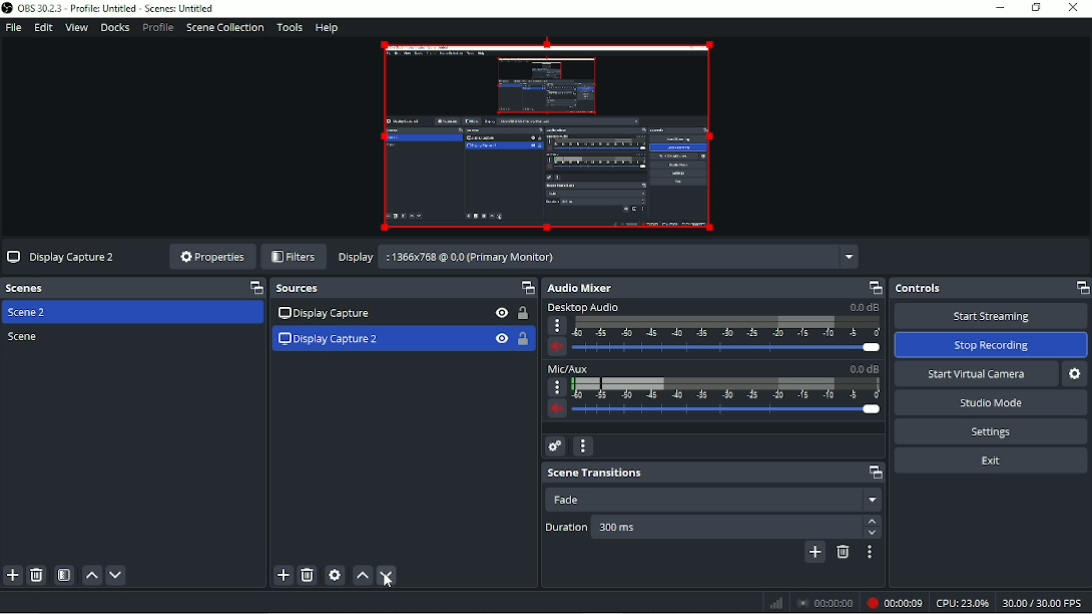  Describe the element at coordinates (501, 338) in the screenshot. I see `Hide` at that location.